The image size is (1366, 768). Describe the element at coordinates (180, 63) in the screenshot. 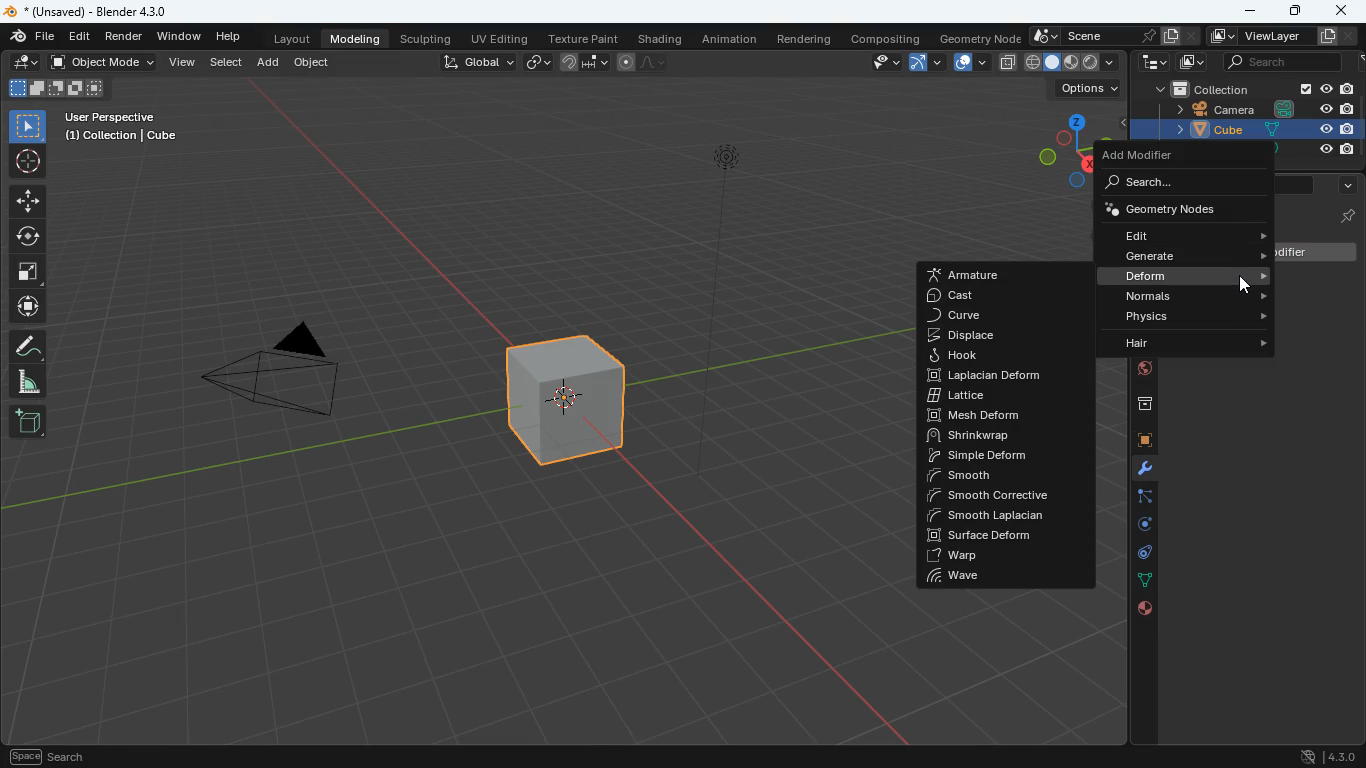

I see `view` at that location.